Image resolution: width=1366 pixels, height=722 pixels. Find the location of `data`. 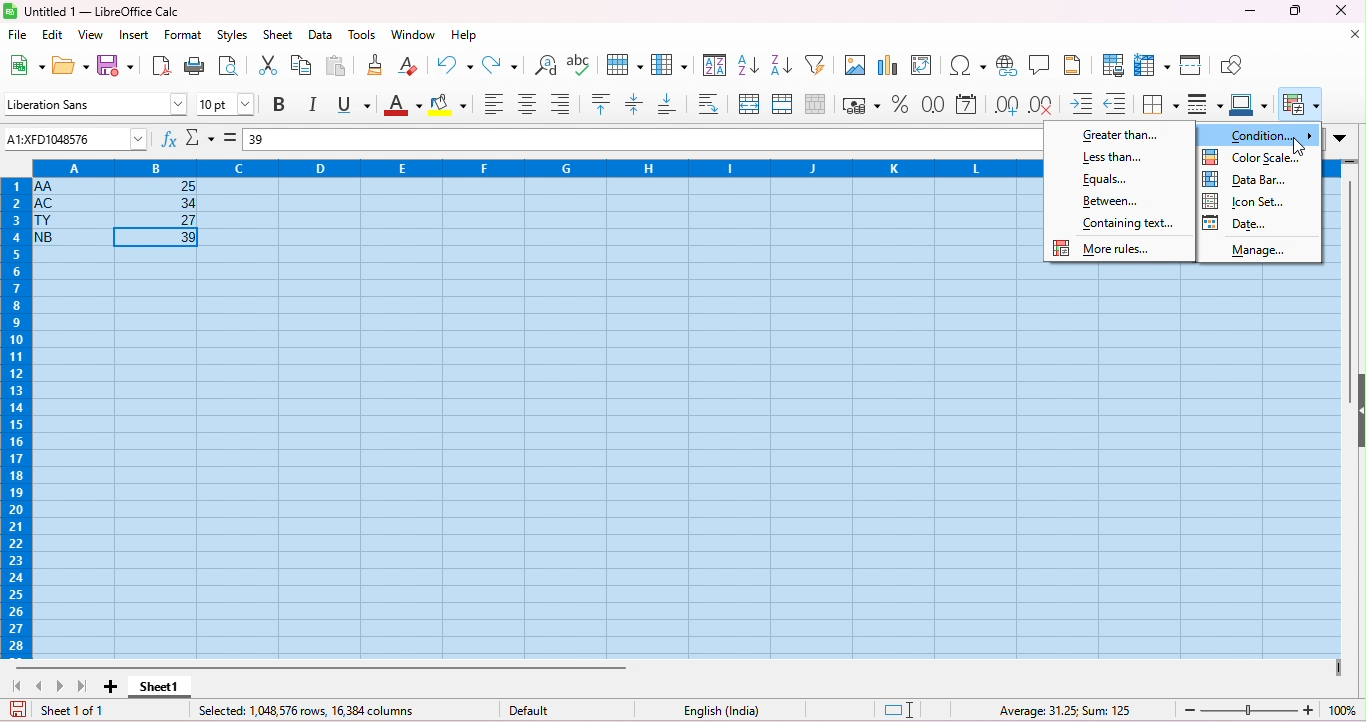

data is located at coordinates (320, 36).